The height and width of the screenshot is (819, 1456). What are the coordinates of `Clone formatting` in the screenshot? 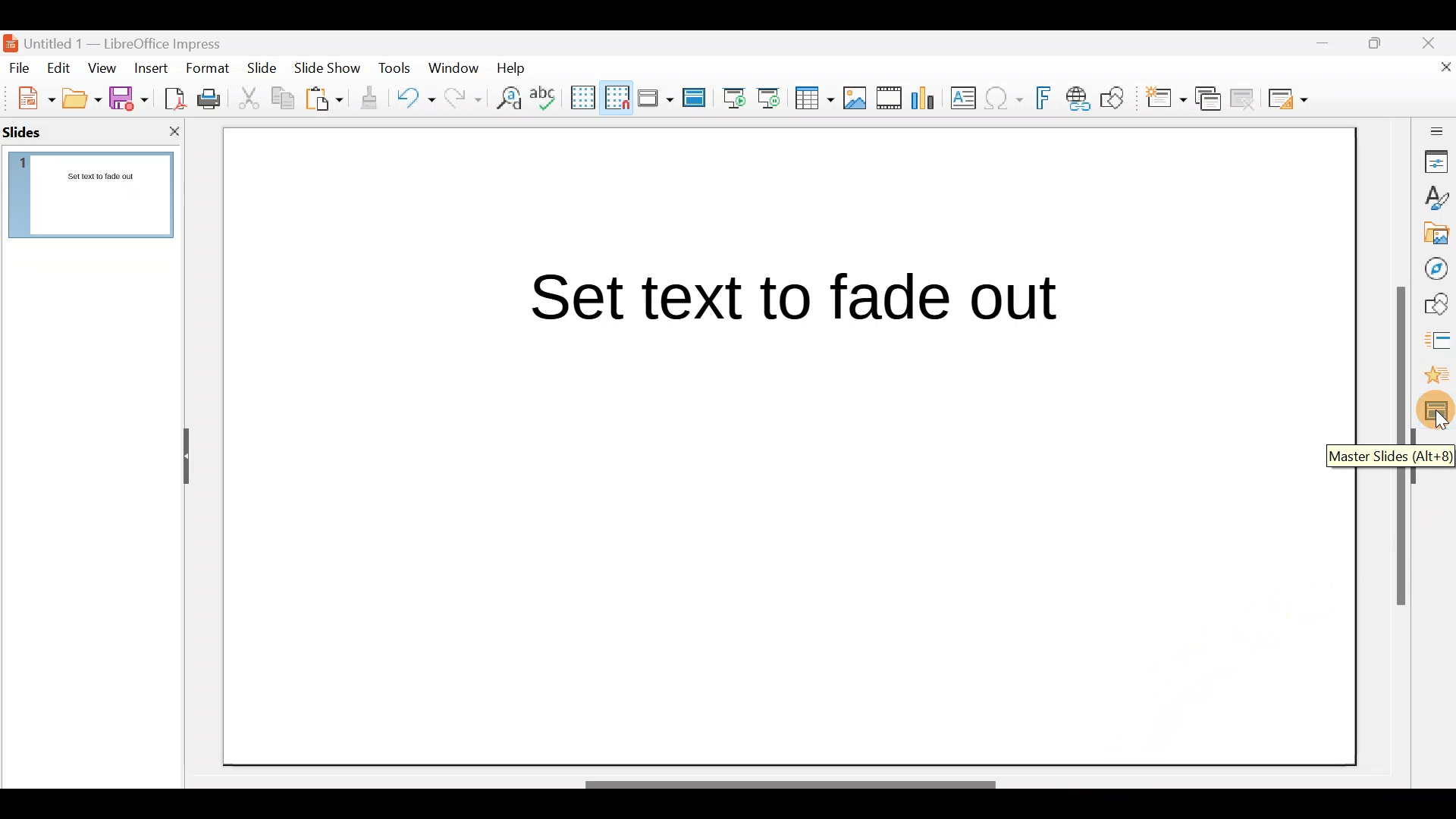 It's located at (372, 99).